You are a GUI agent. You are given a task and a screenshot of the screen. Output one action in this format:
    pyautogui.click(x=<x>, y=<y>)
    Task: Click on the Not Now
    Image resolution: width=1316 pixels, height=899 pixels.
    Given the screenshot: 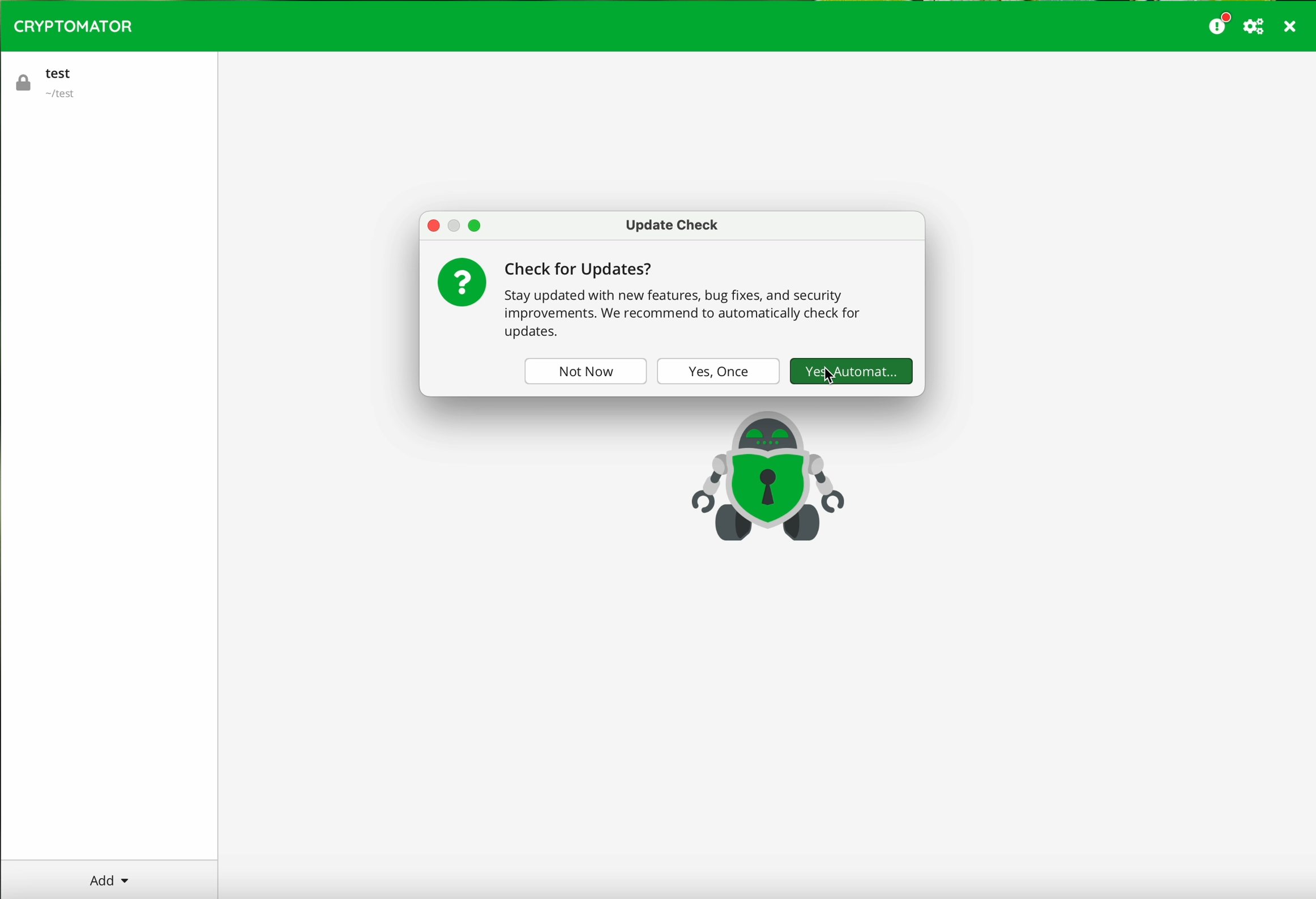 What is the action you would take?
    pyautogui.click(x=582, y=370)
    